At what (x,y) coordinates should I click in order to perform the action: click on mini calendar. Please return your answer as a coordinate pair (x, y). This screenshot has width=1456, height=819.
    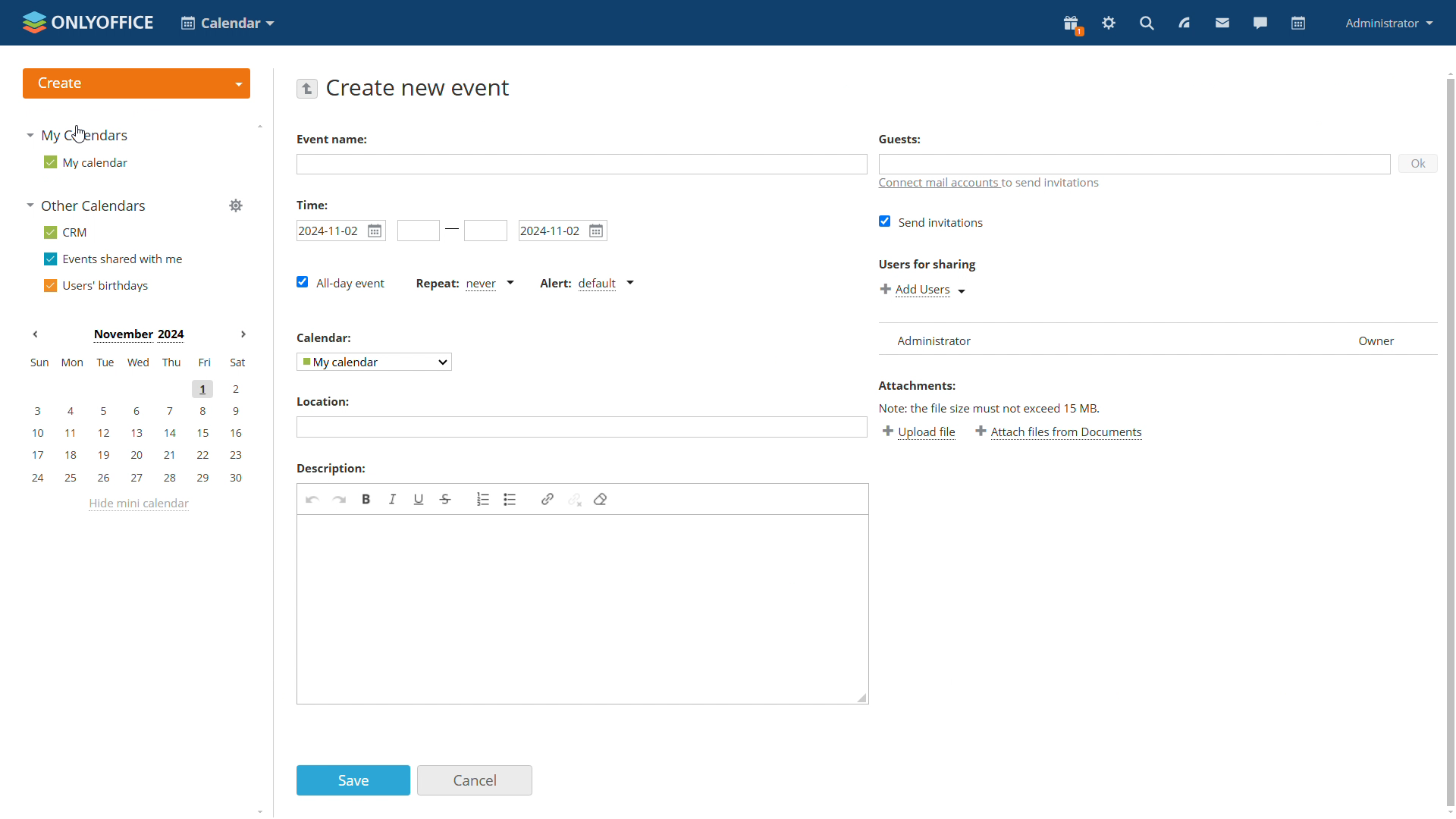
    Looking at the image, I should click on (134, 422).